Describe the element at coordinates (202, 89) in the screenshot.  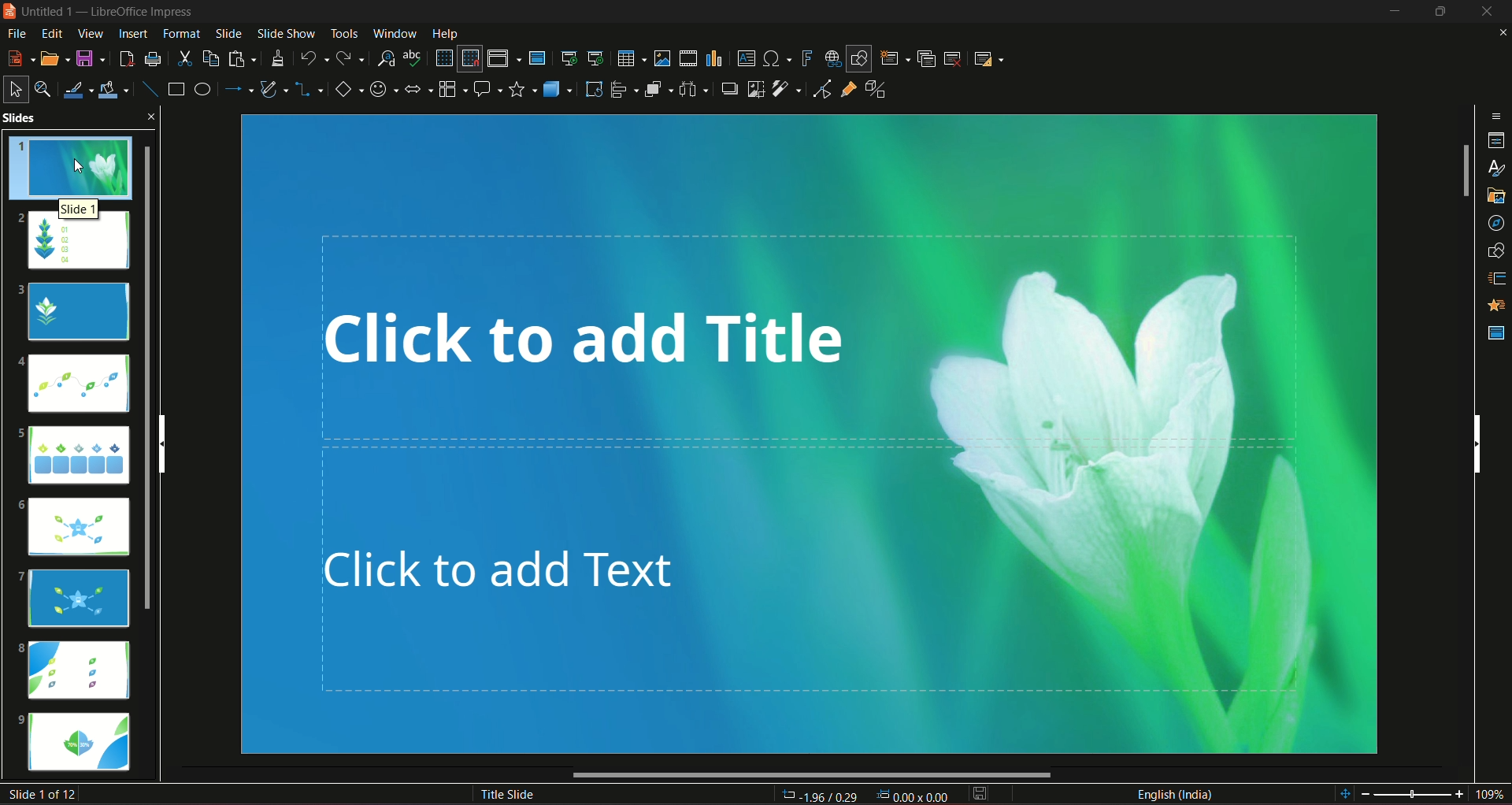
I see `ellipse` at that location.